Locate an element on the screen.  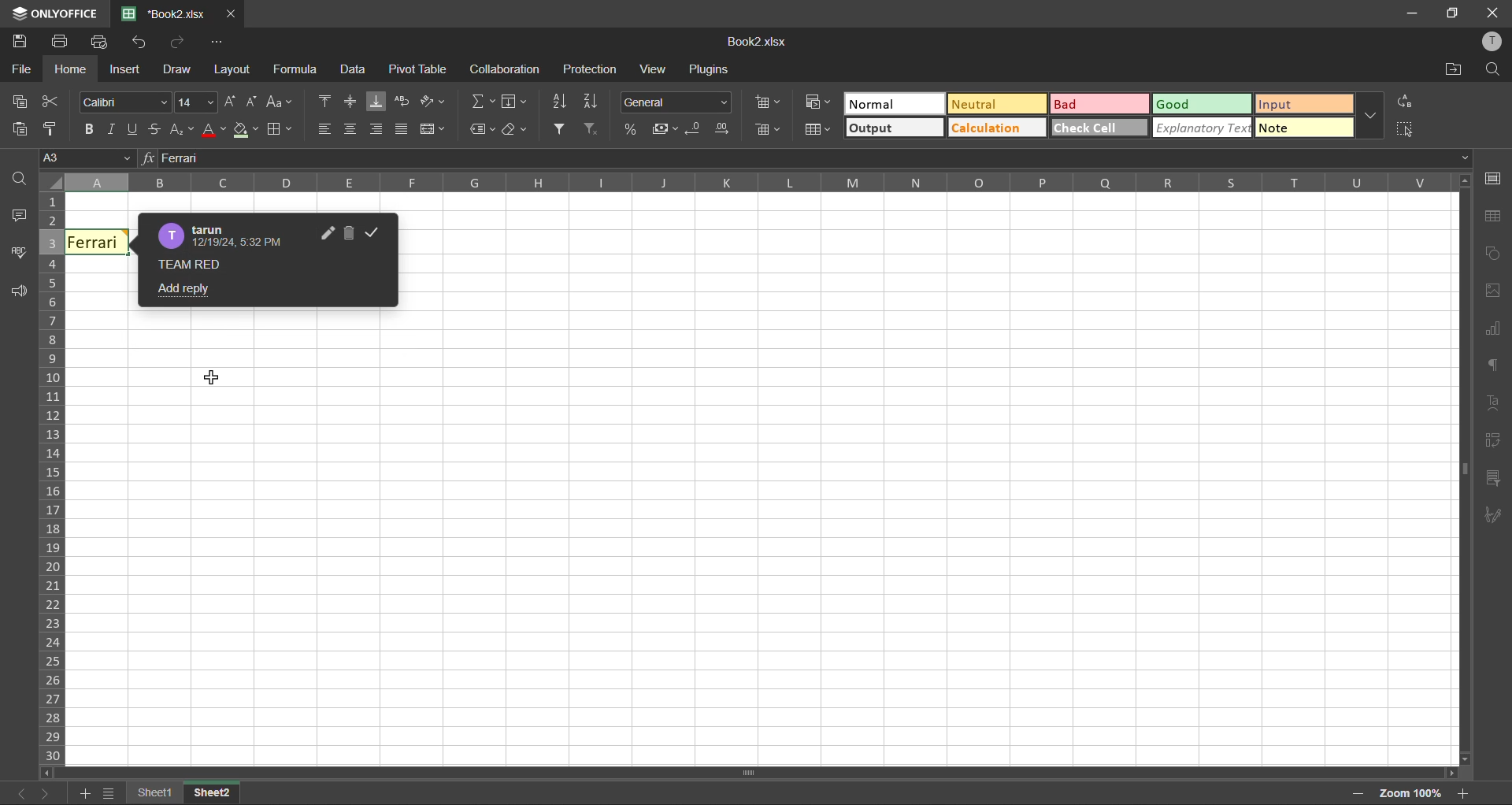
cell settings is located at coordinates (1494, 178).